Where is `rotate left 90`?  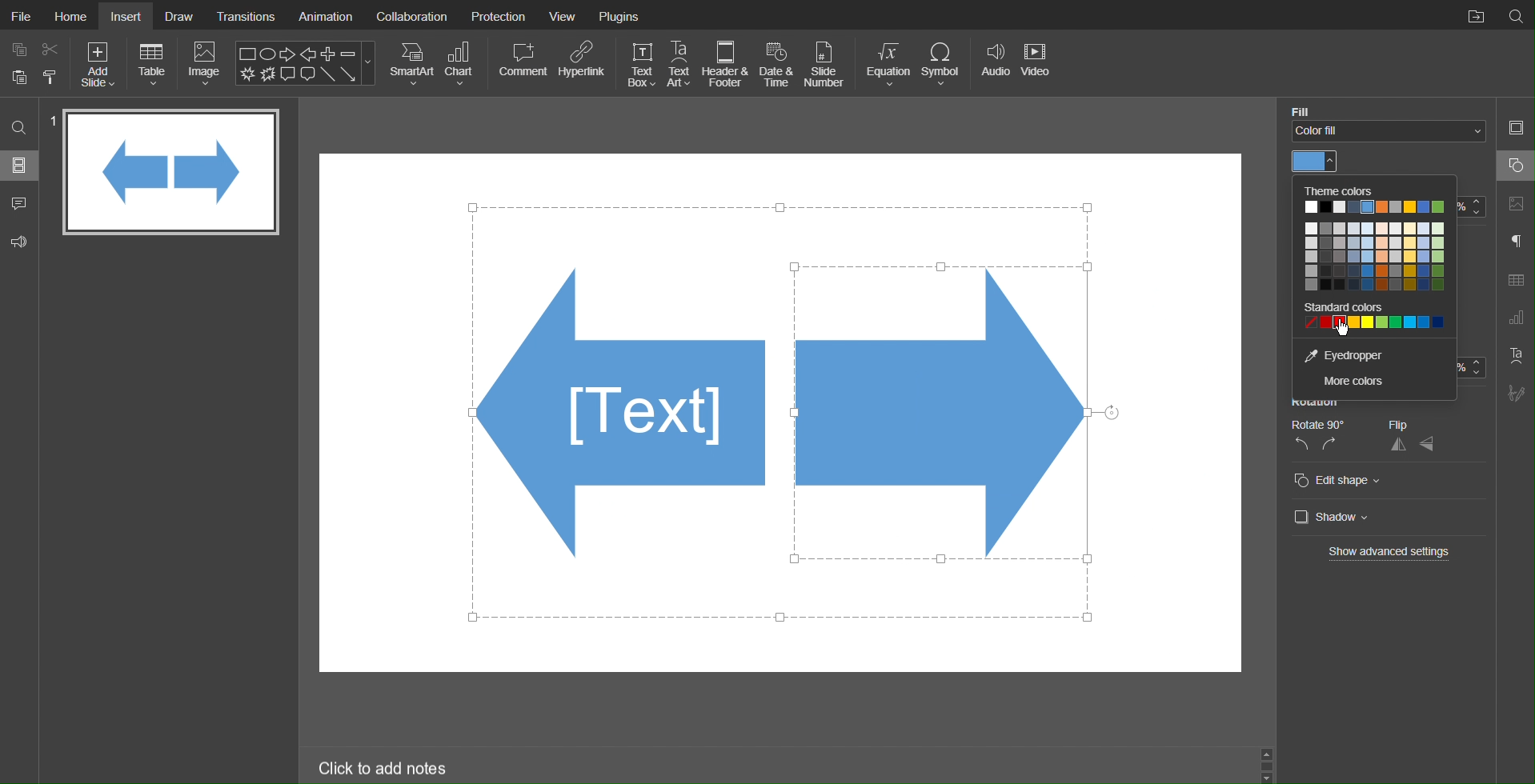 rotate left 90 is located at coordinates (1298, 447).